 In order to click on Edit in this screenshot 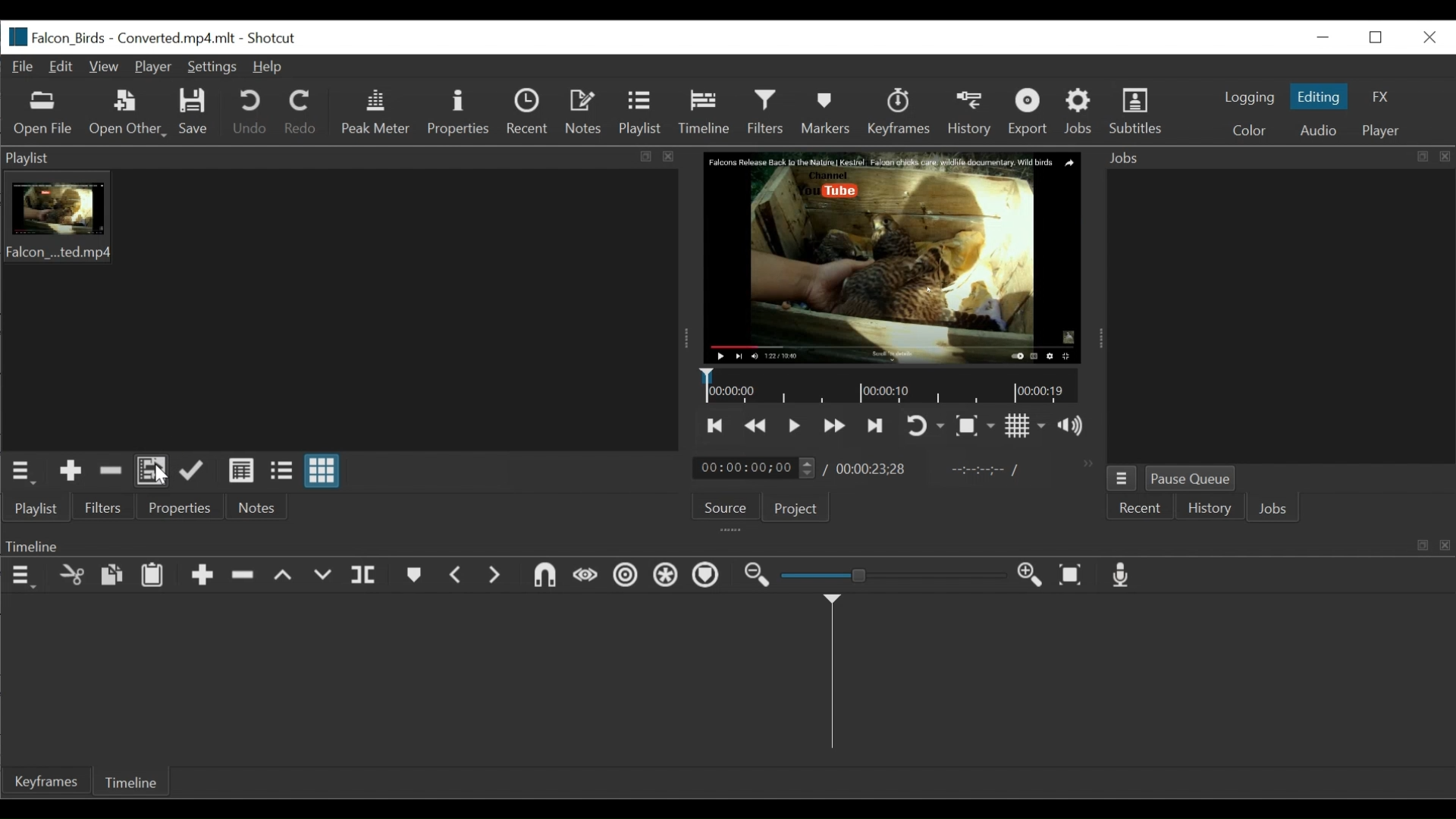, I will do `click(64, 67)`.